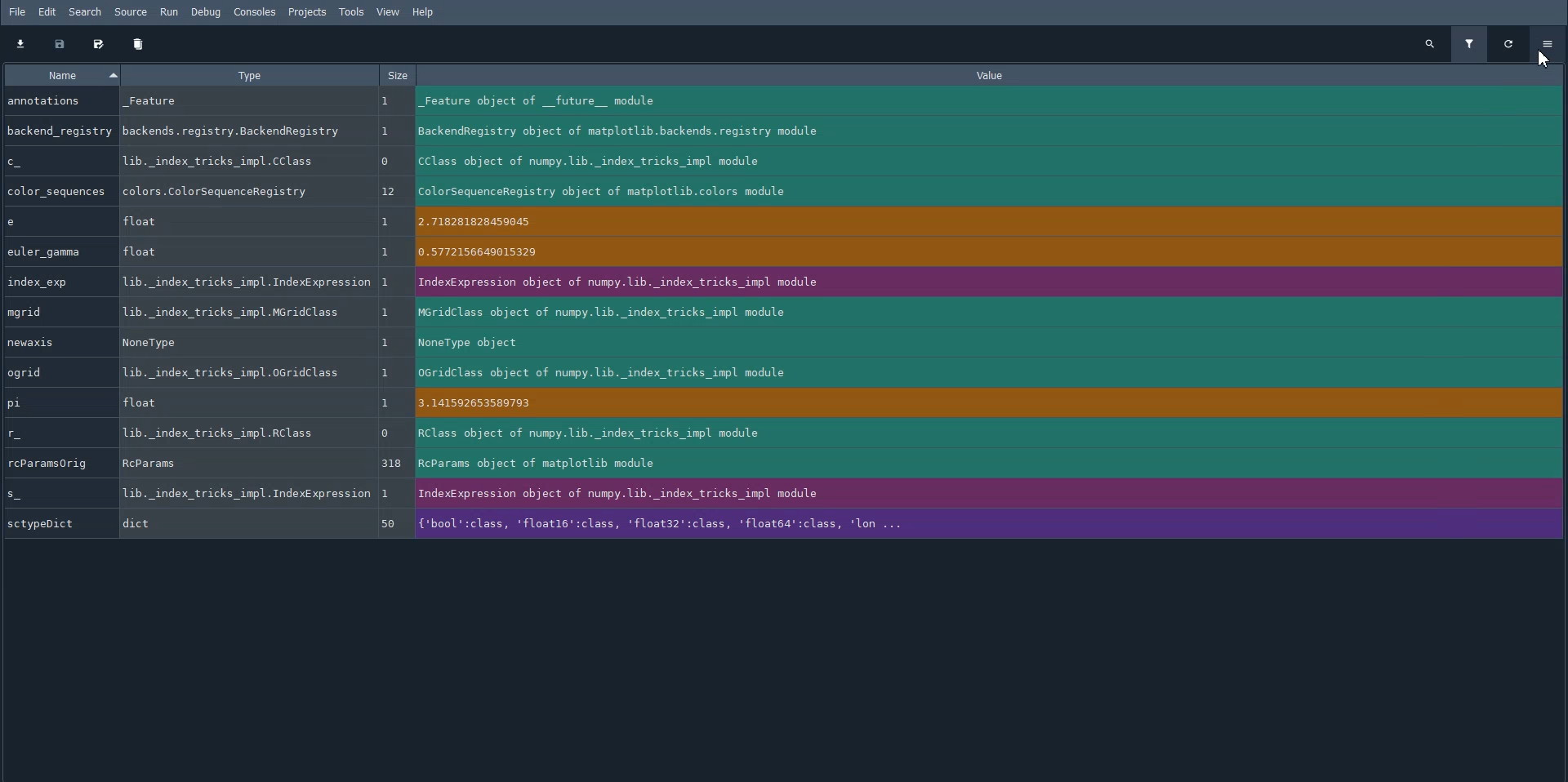  What do you see at coordinates (389, 492) in the screenshot?
I see `1` at bounding box center [389, 492].